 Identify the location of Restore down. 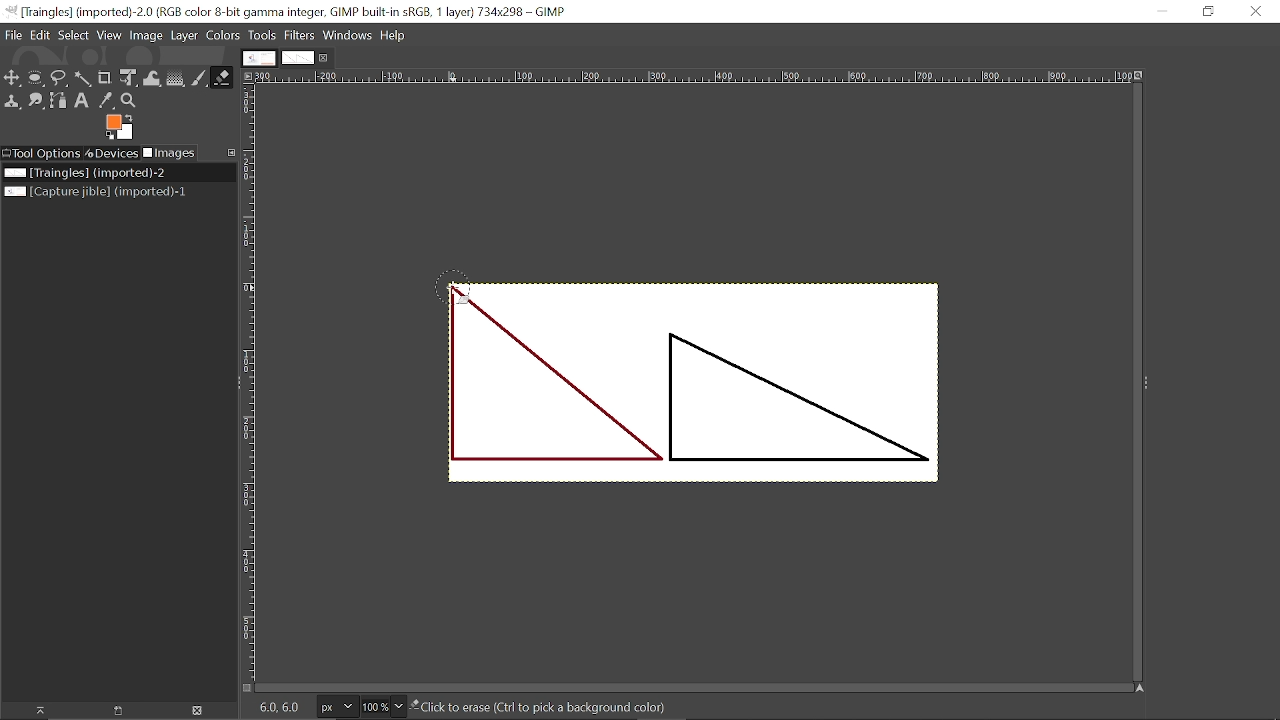
(1210, 11).